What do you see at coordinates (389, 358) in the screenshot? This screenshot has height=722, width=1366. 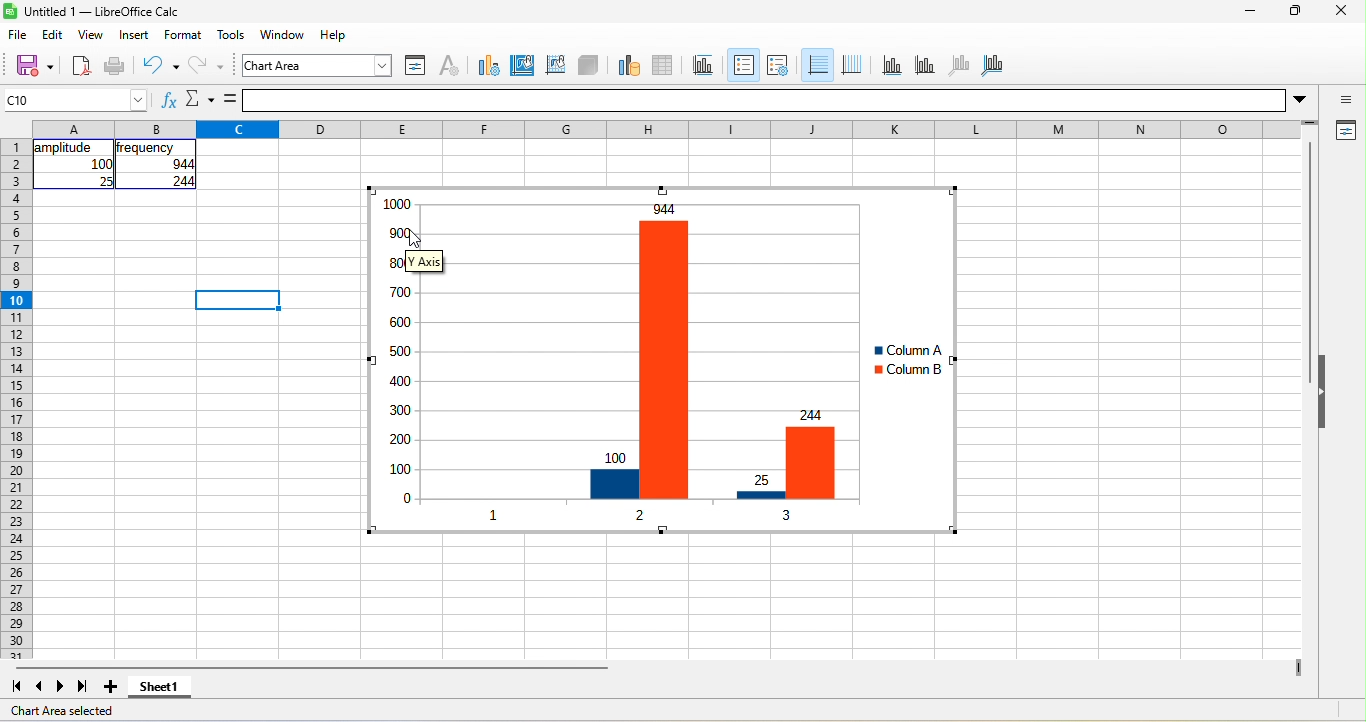 I see `data labels added` at bounding box center [389, 358].